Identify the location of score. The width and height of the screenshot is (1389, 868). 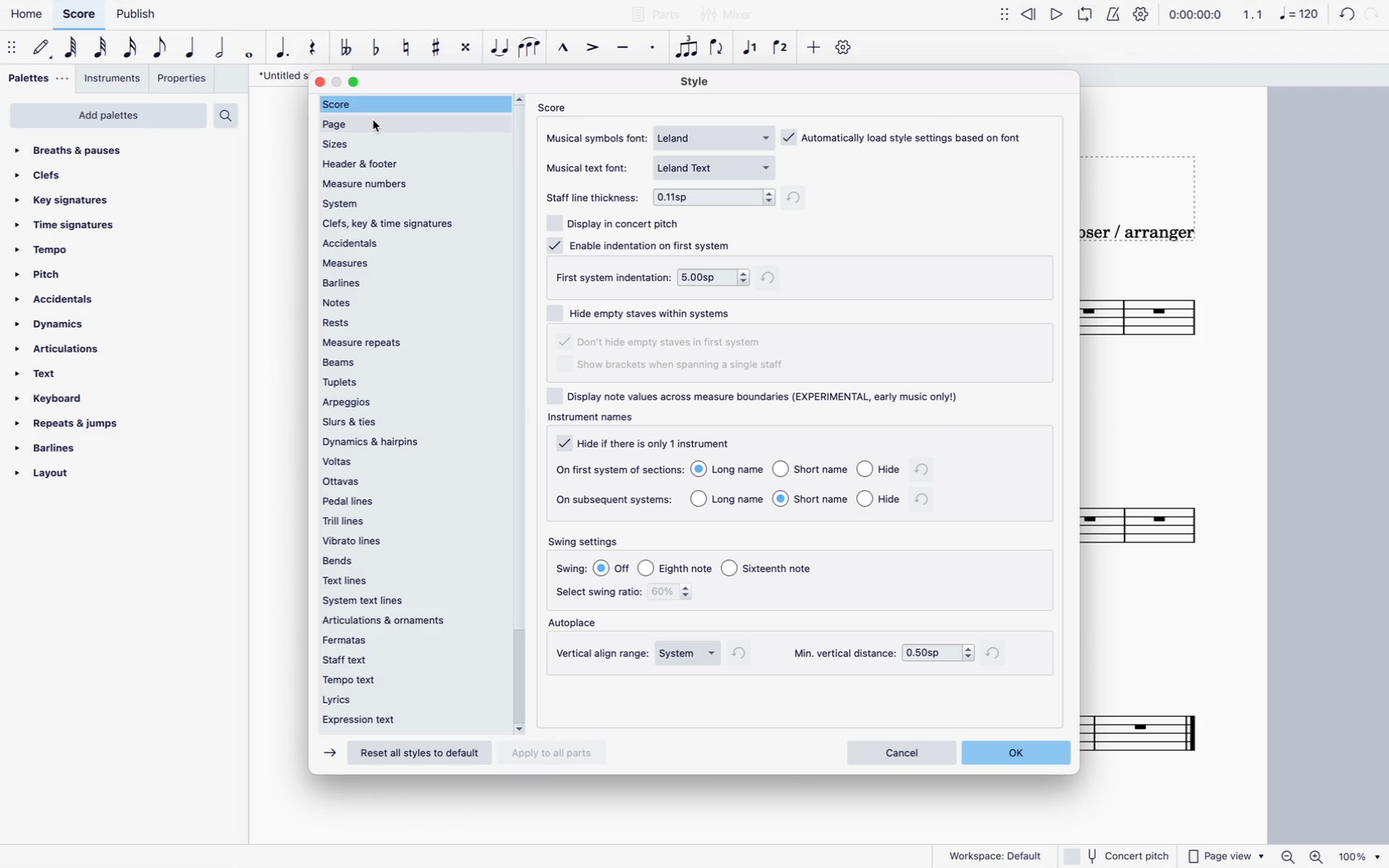
(1156, 524).